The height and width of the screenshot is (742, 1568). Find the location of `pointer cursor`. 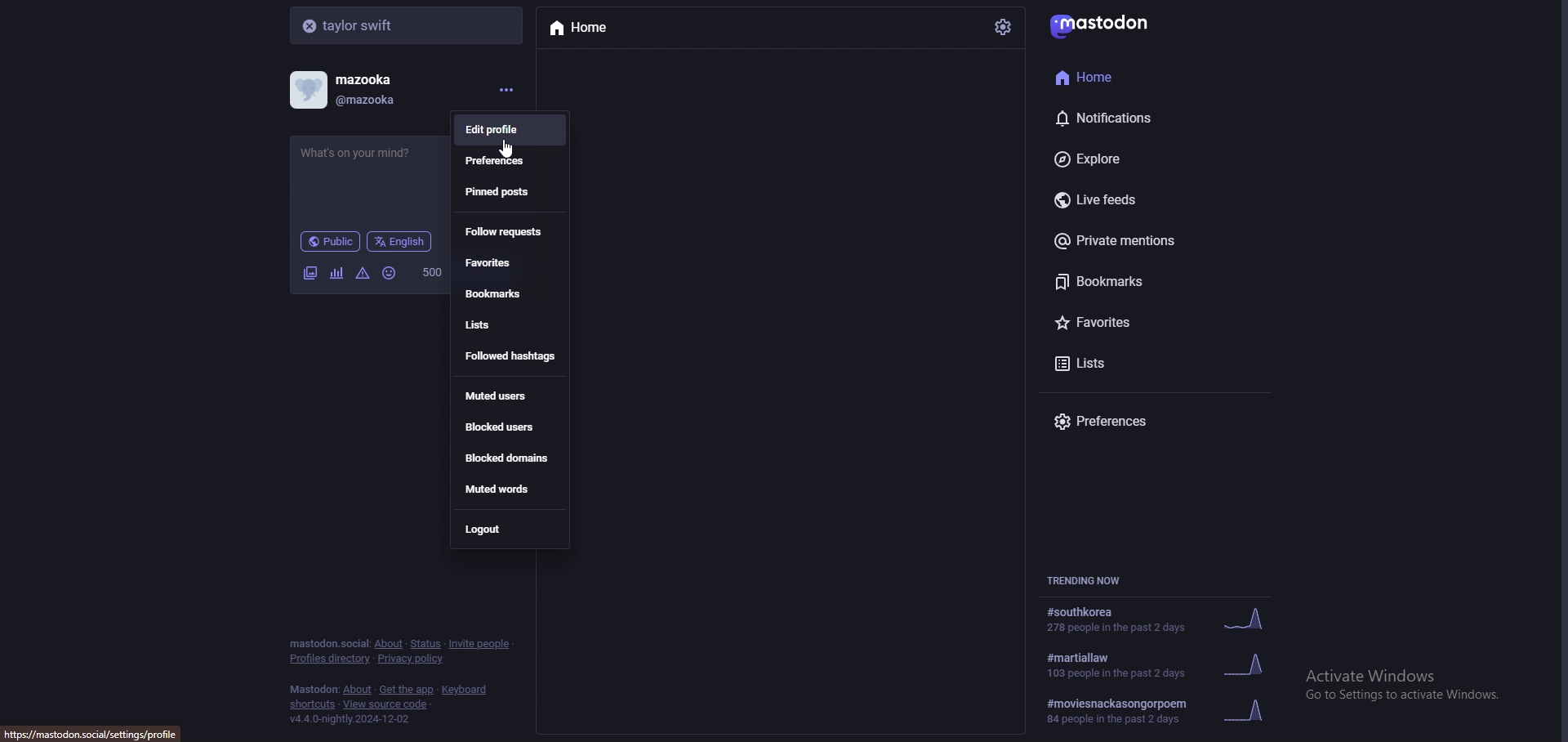

pointer cursor is located at coordinates (512, 150).